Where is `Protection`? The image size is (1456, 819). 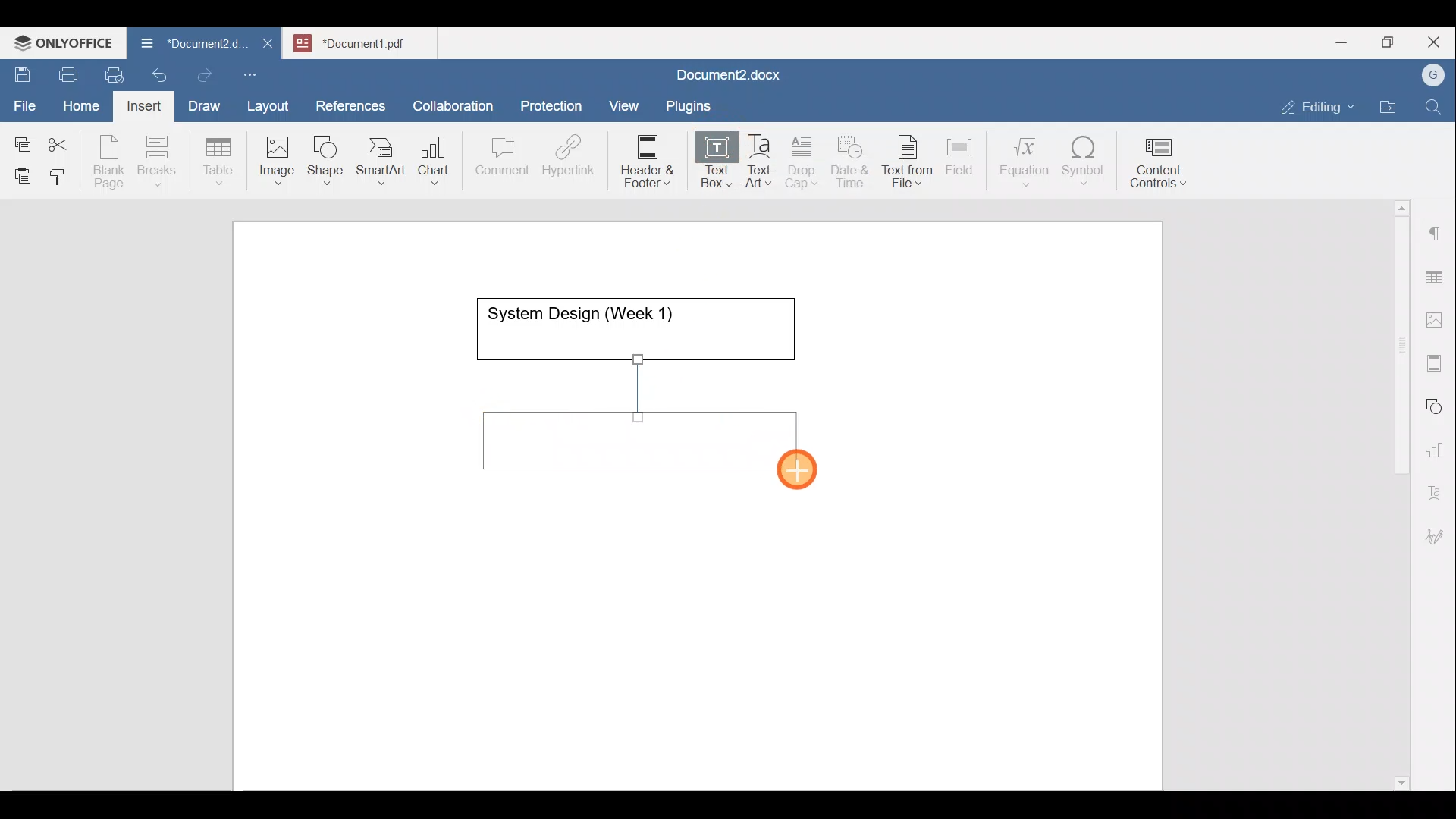
Protection is located at coordinates (556, 104).